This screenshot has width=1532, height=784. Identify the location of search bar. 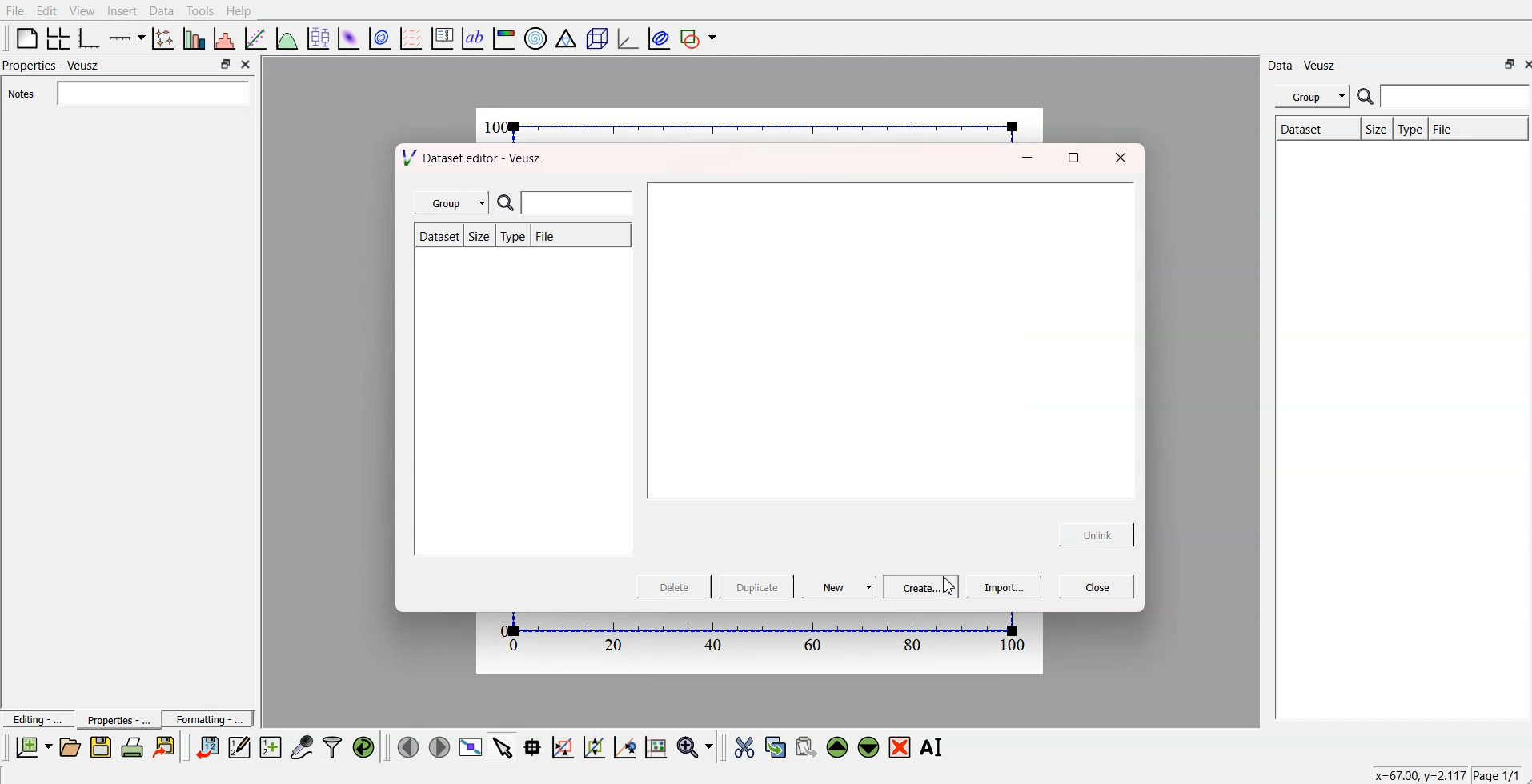
(585, 202).